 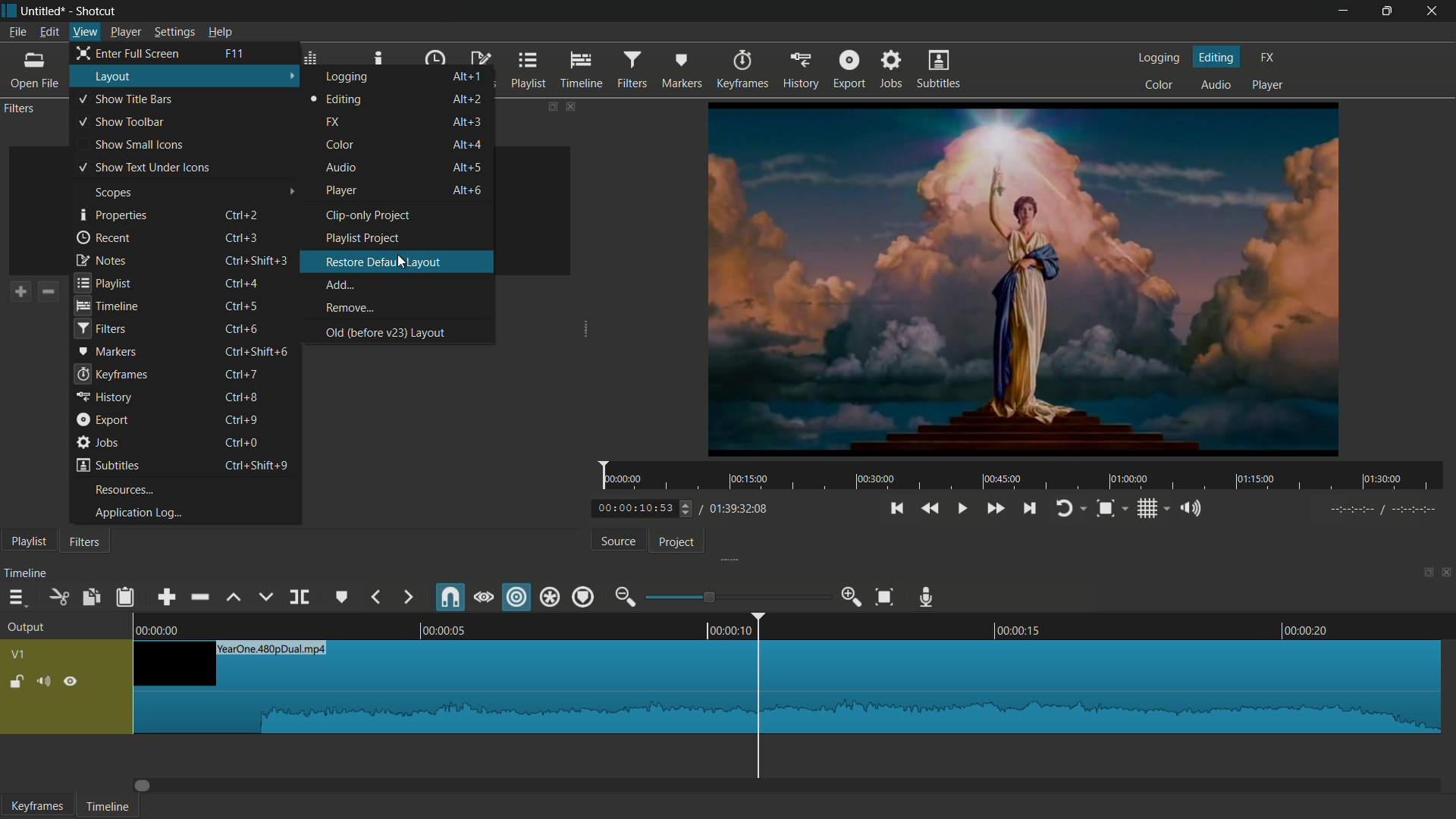 I want to click on close filters, so click(x=570, y=106).